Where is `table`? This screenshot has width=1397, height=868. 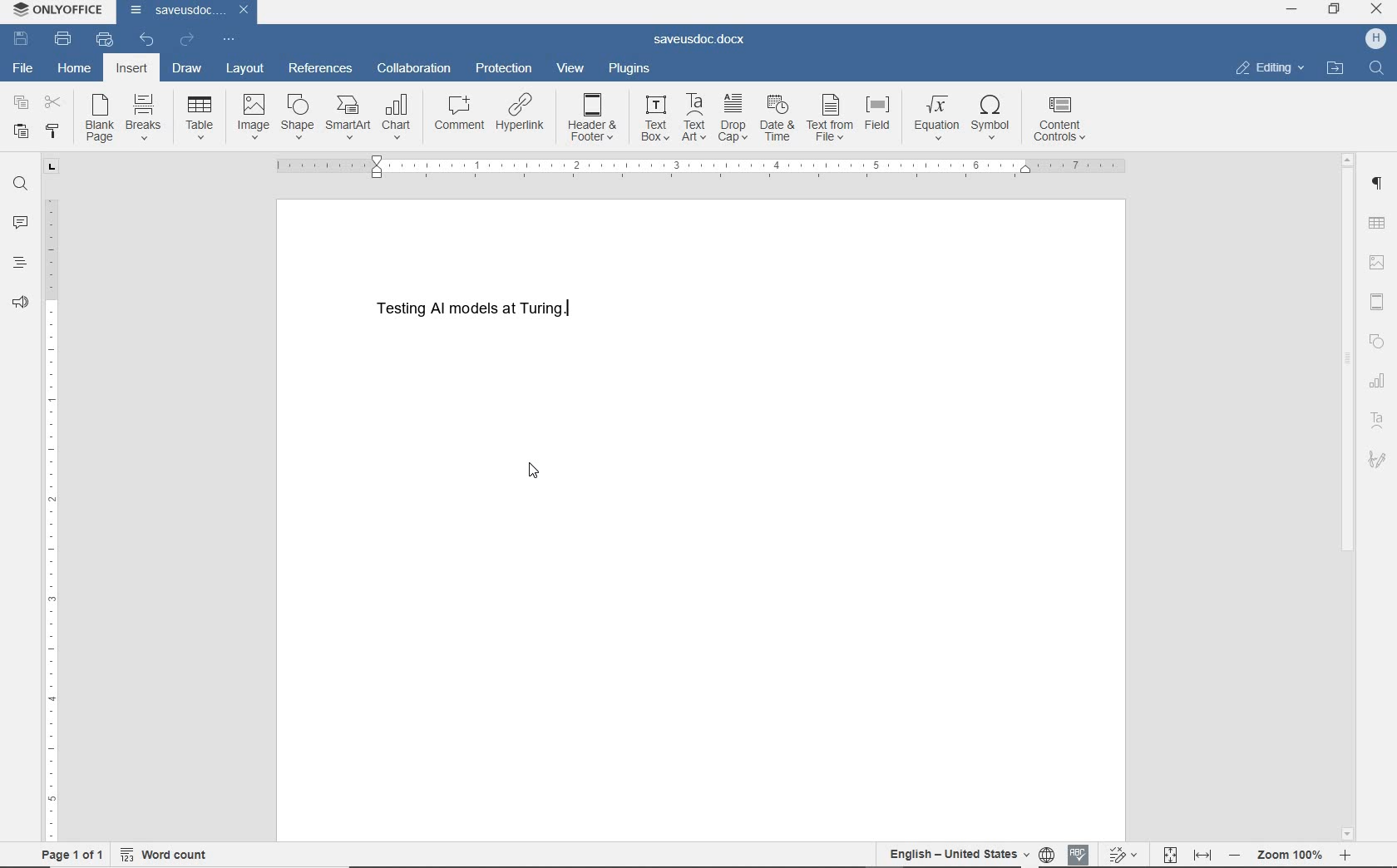 table is located at coordinates (201, 116).